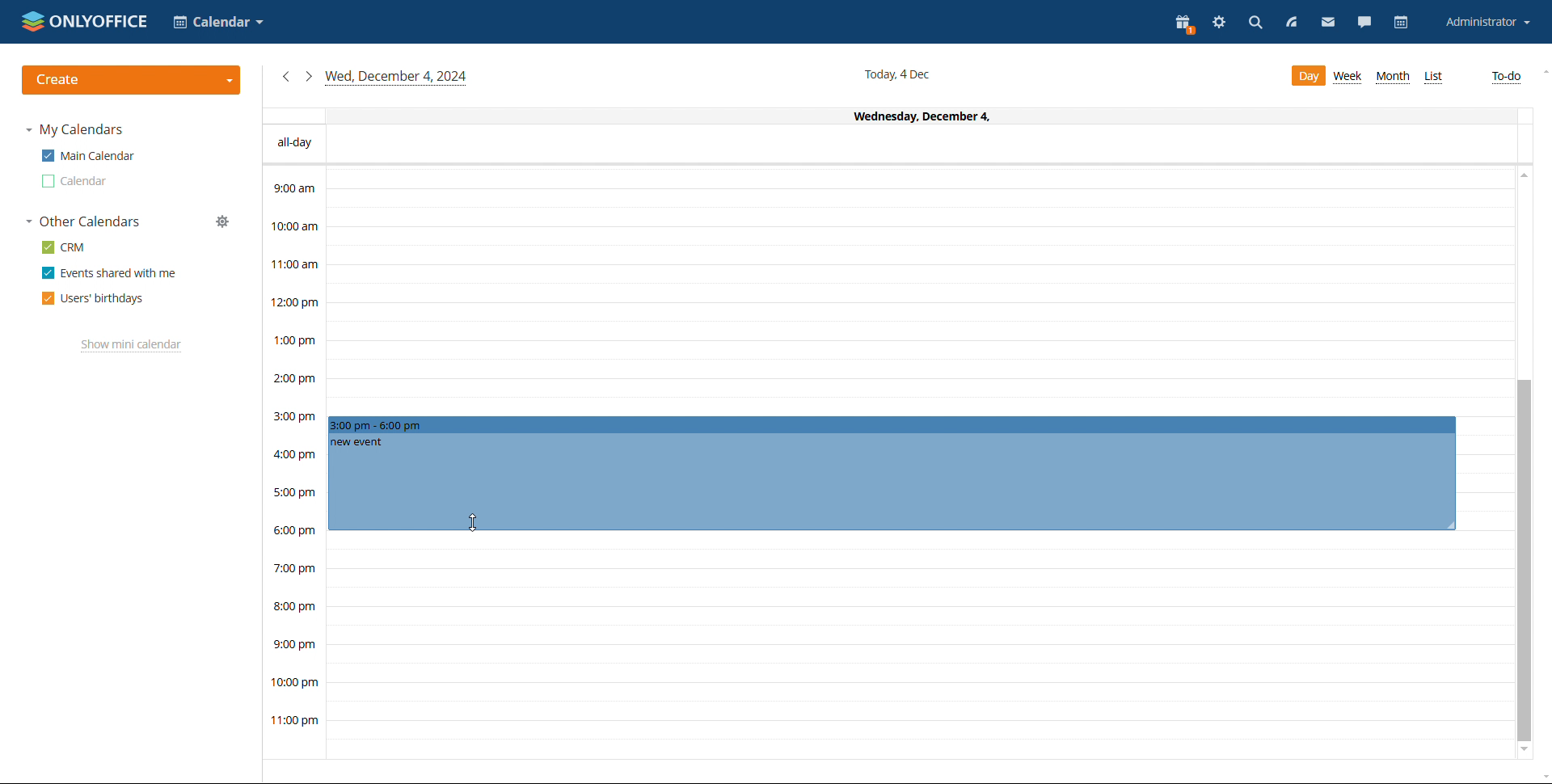 Image resolution: width=1552 pixels, height=784 pixels. Describe the element at coordinates (1542, 73) in the screenshot. I see `scroll up` at that location.